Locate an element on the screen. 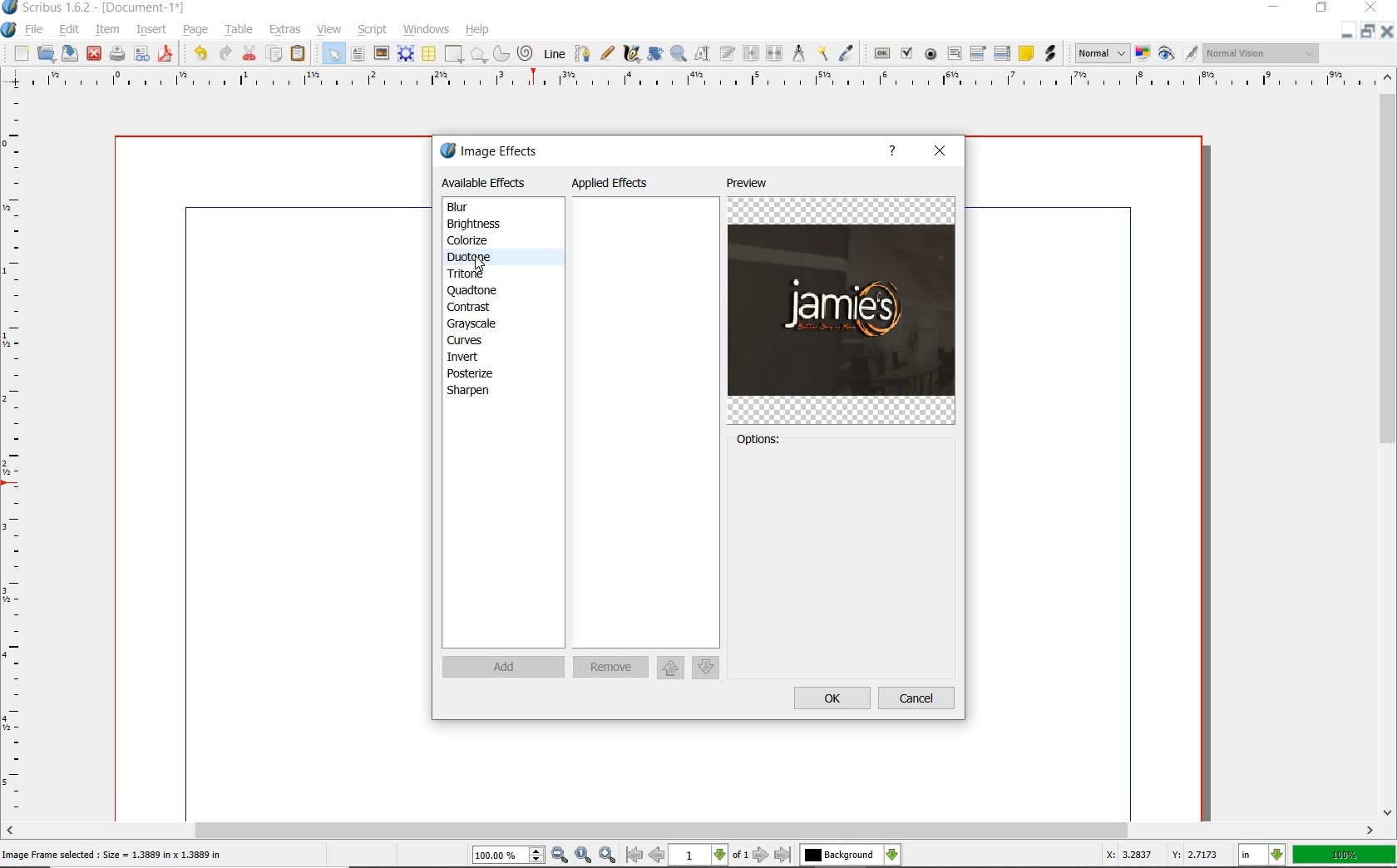 The width and height of the screenshot is (1397, 868). page is located at coordinates (195, 30).